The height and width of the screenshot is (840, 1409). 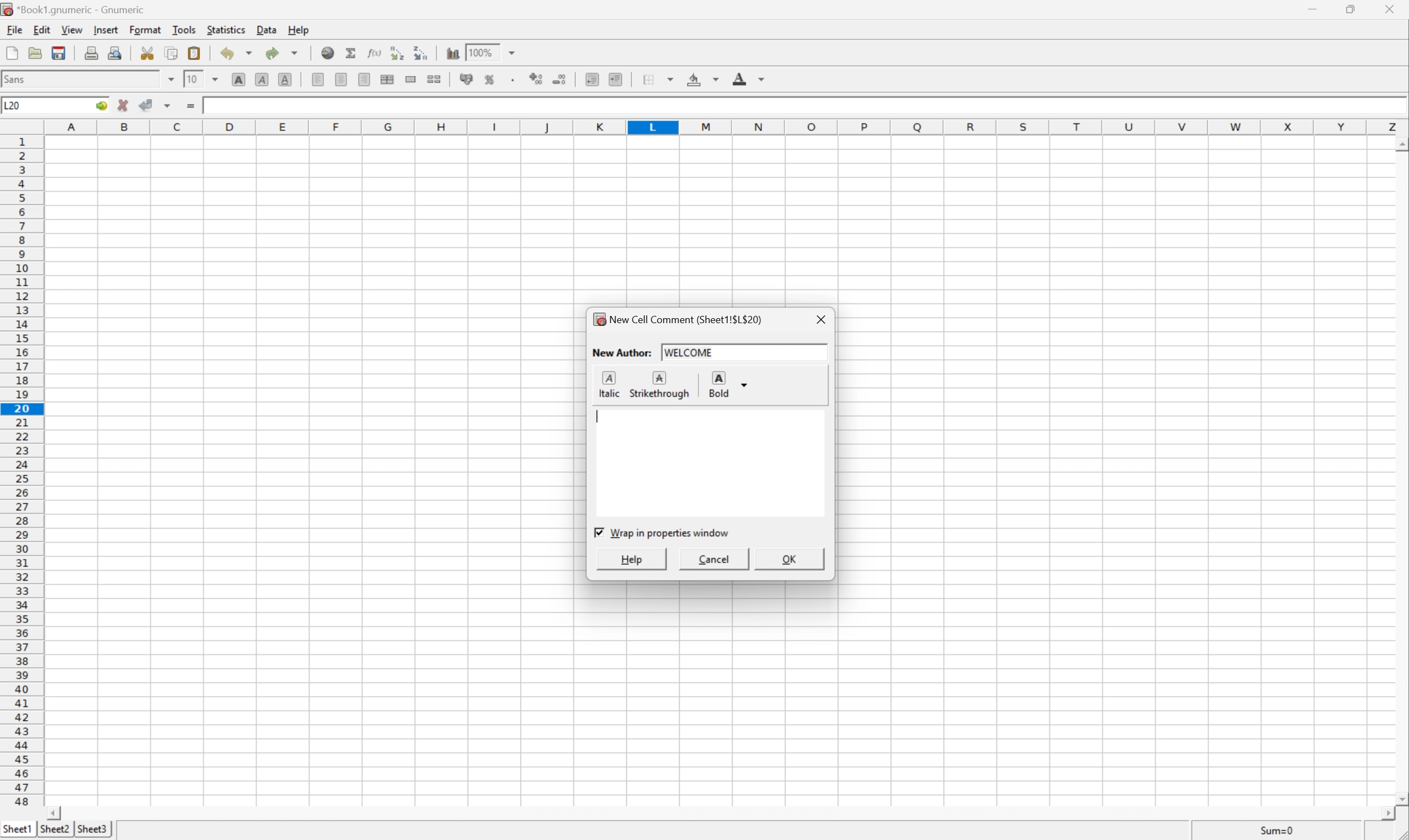 I want to click on Drop Down, so click(x=215, y=79).